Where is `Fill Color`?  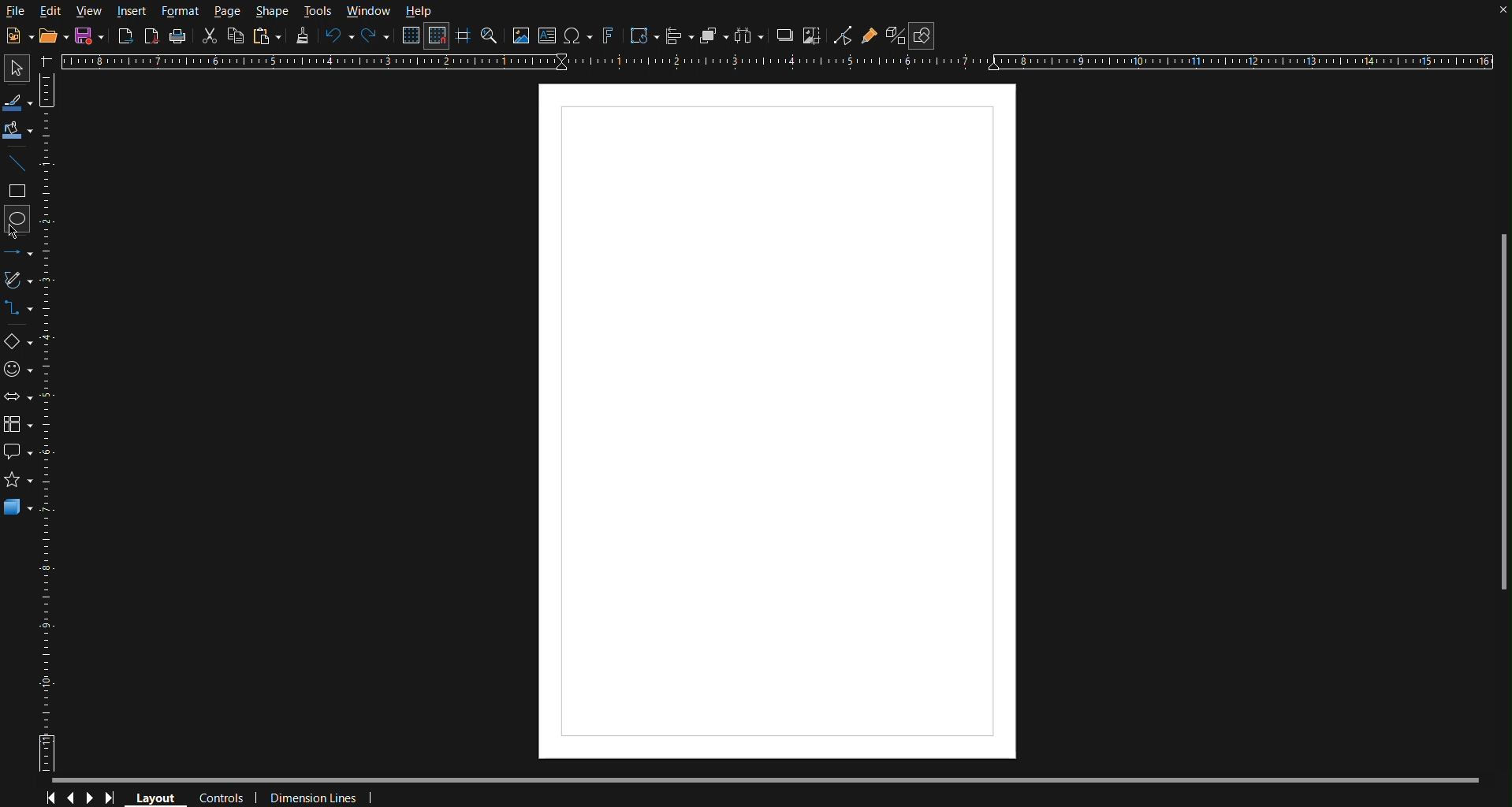
Fill Color is located at coordinates (19, 131).